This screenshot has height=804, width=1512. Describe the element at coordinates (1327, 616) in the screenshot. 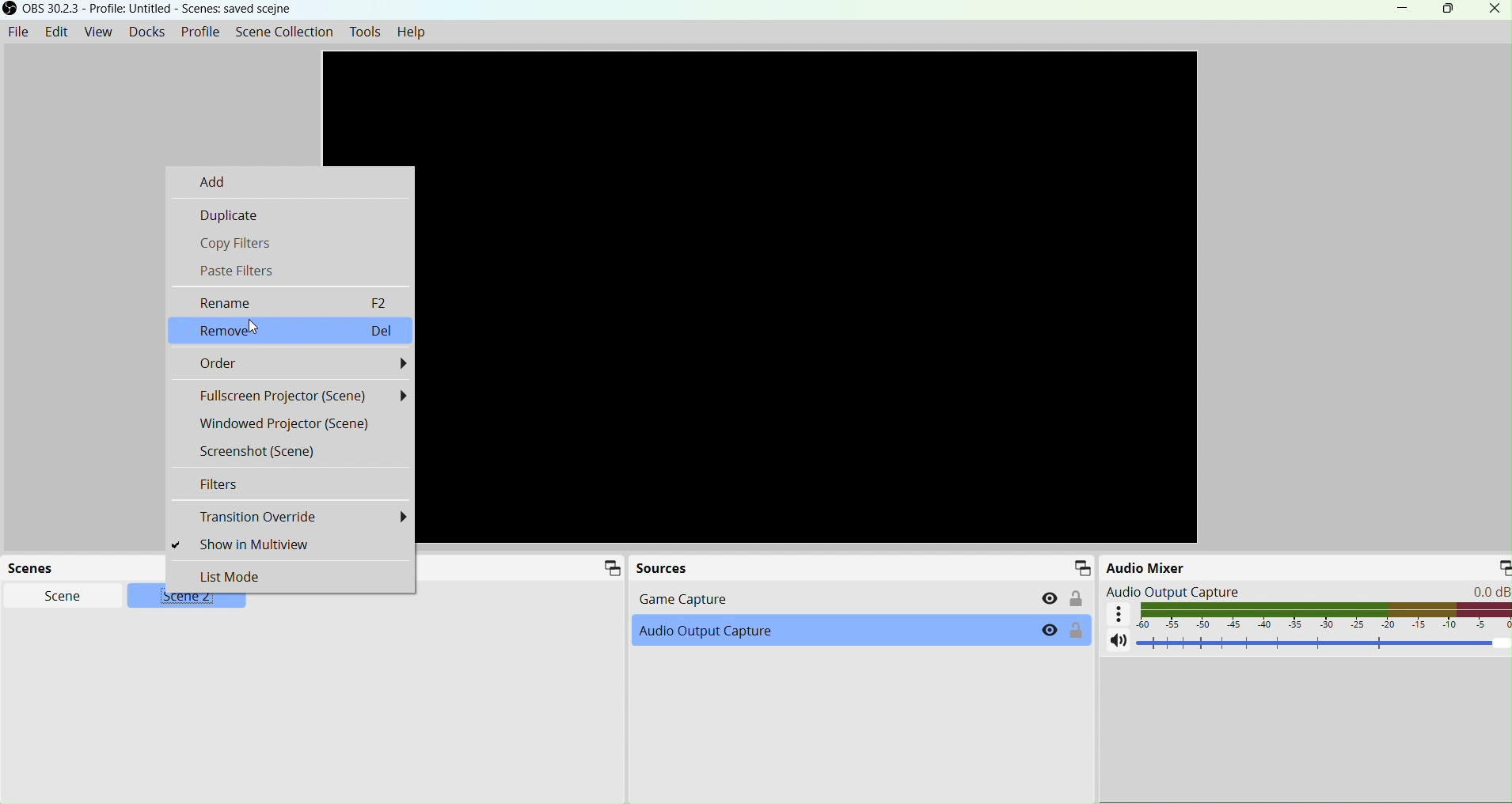

I see `Audio display ` at that location.